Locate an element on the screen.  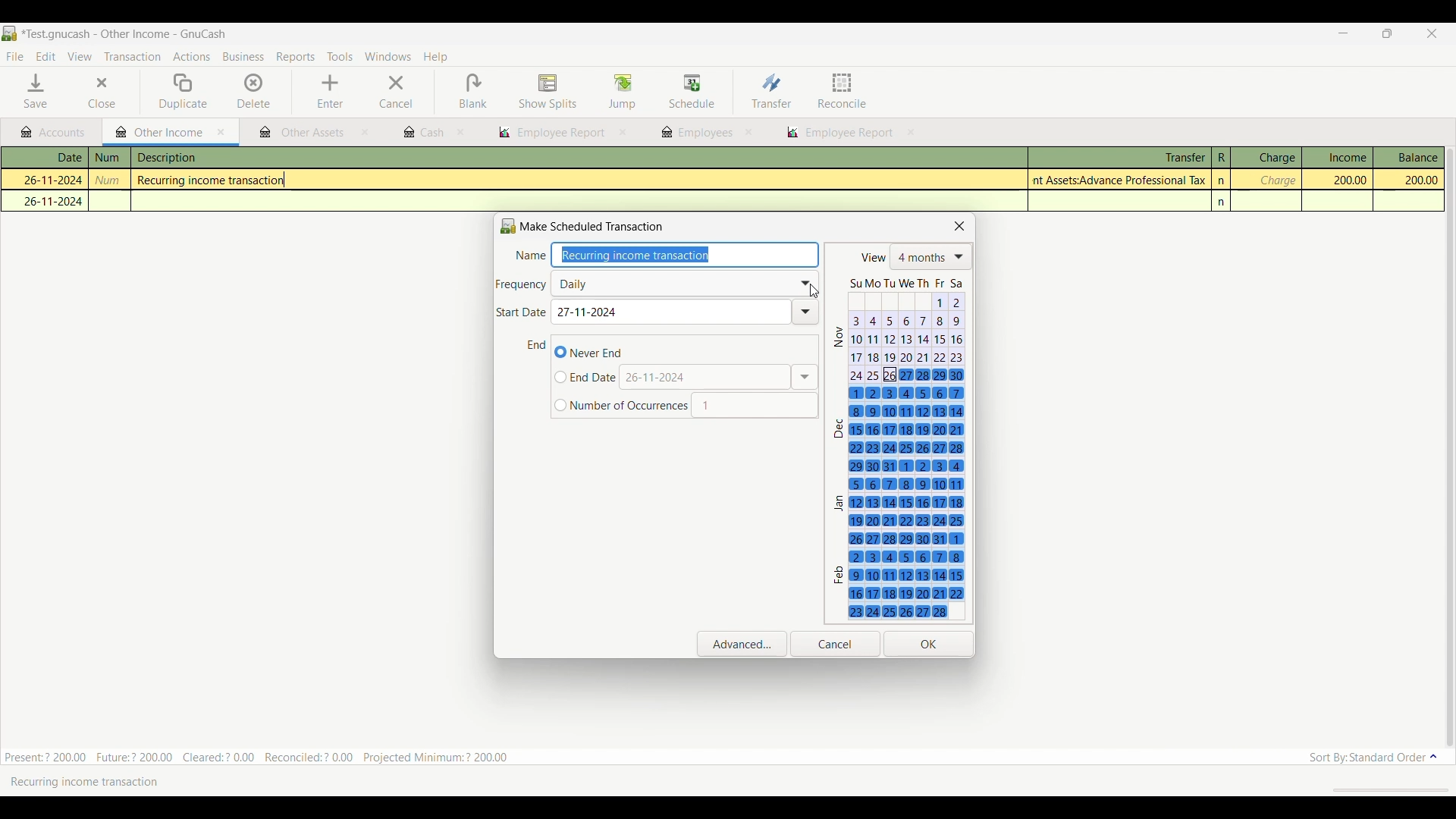
close is located at coordinates (462, 133).